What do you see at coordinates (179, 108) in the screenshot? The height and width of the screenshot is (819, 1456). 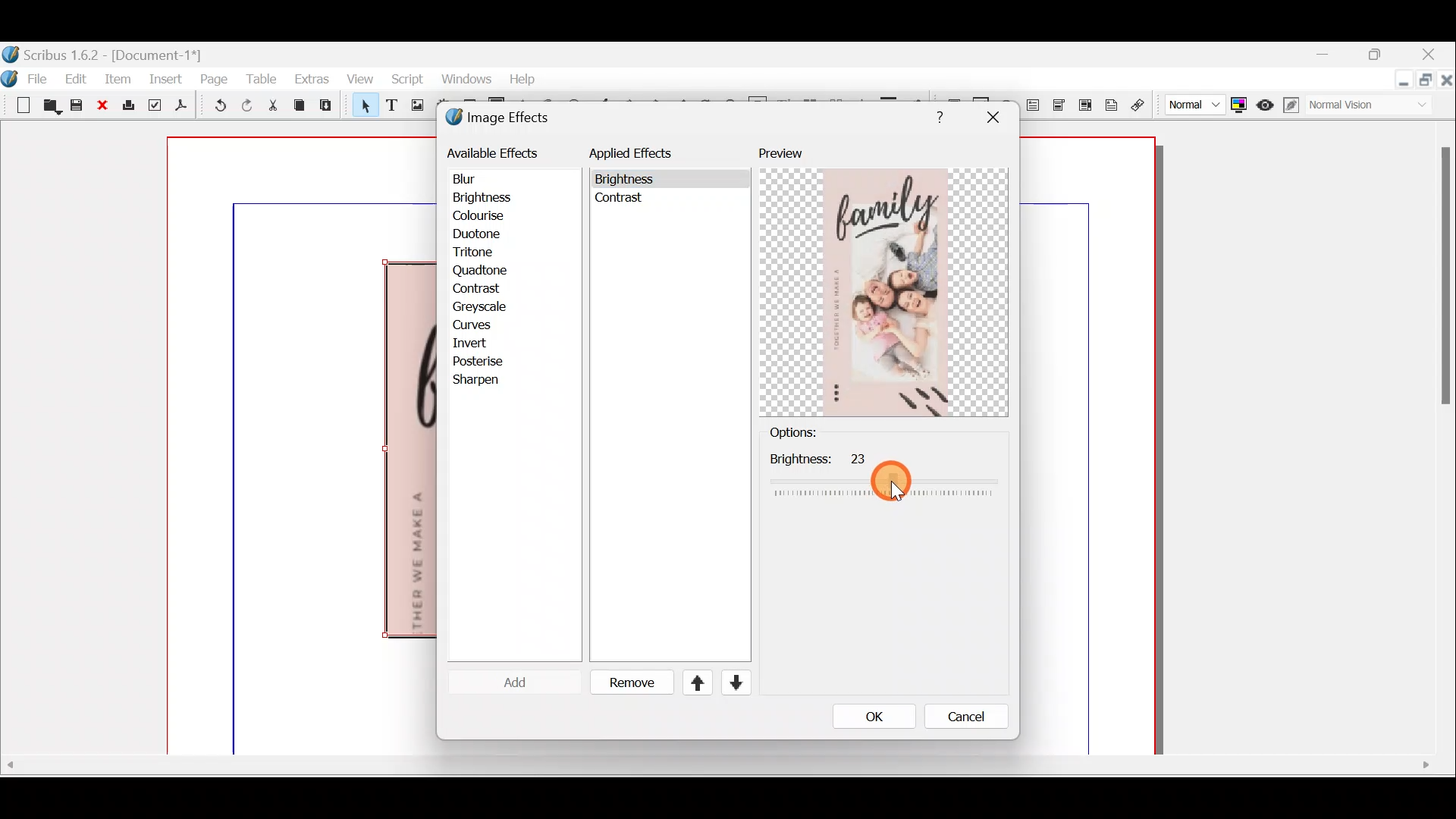 I see `Save as PDF` at bounding box center [179, 108].